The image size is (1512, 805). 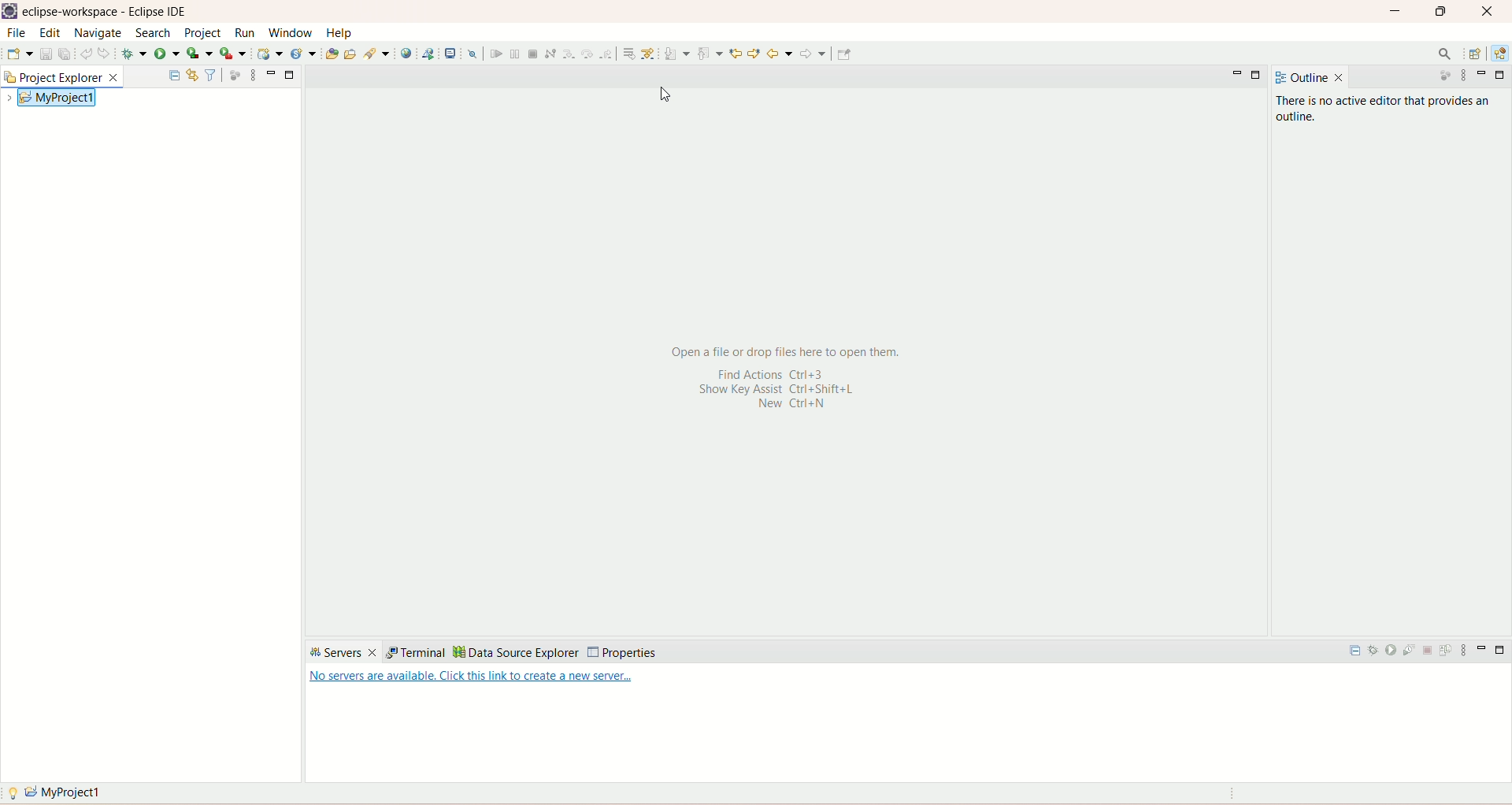 What do you see at coordinates (379, 54) in the screenshot?
I see `search` at bounding box center [379, 54].